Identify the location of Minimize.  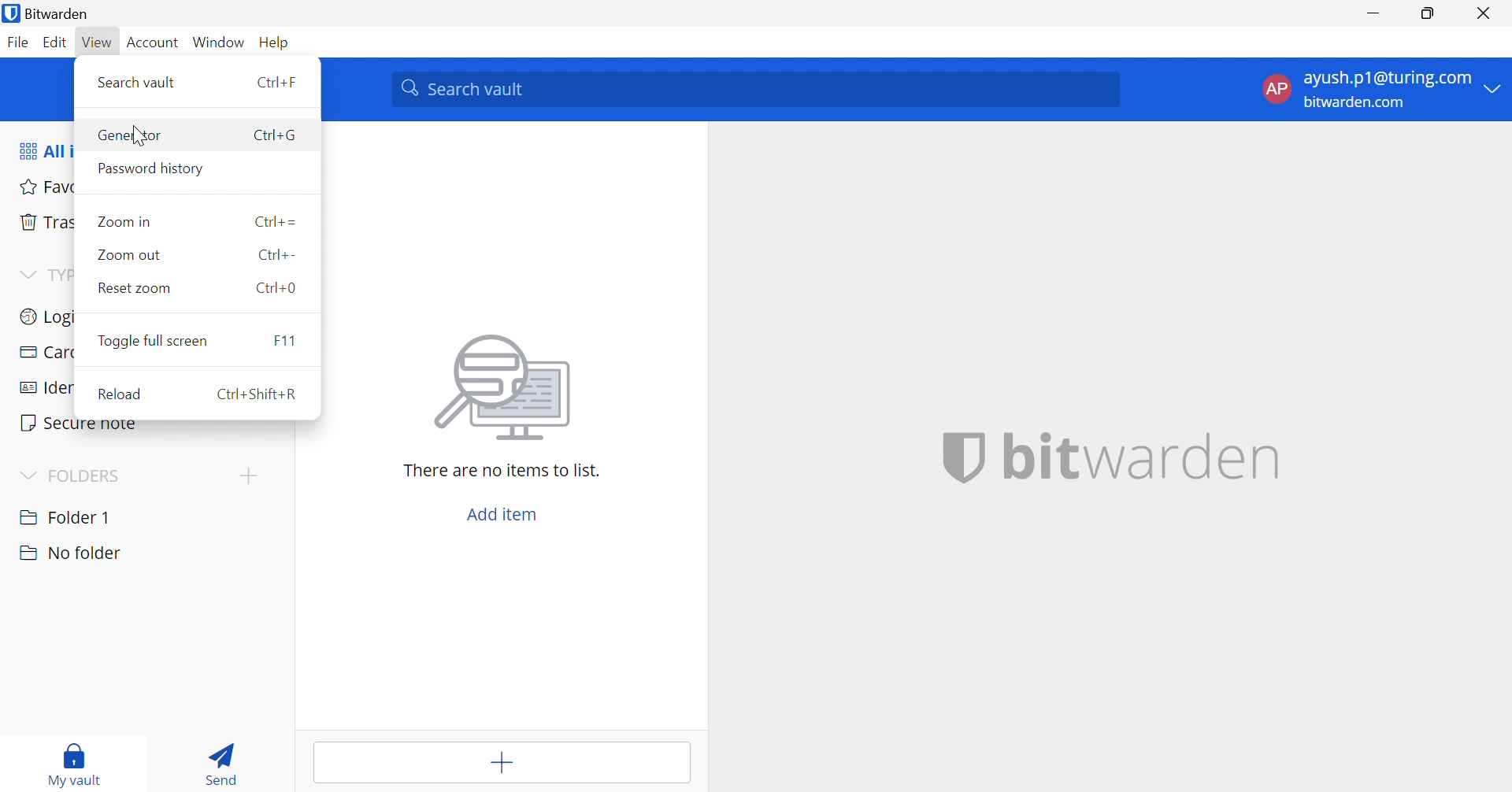
(1374, 11).